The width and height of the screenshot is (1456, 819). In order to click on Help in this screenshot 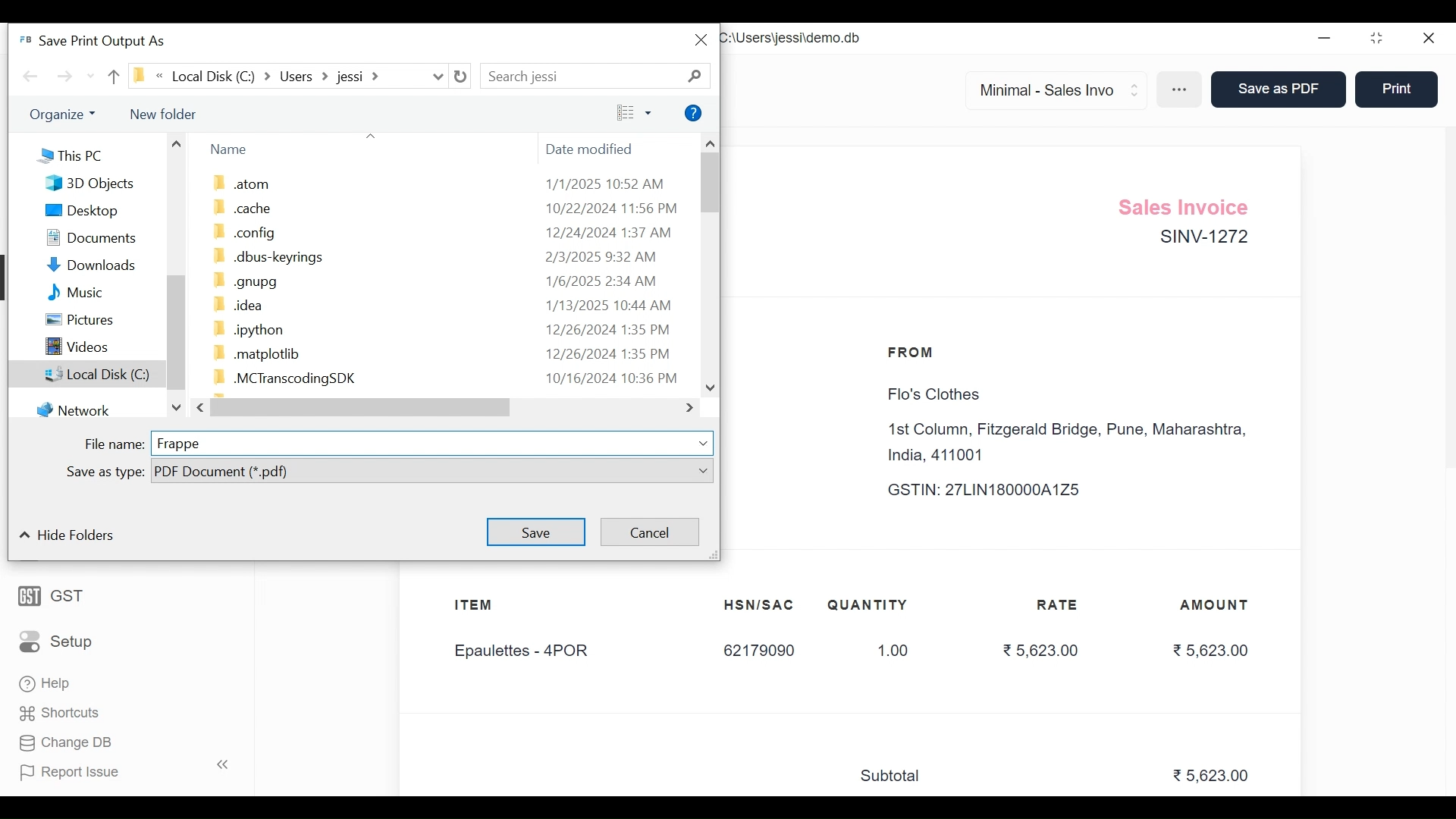, I will do `click(46, 686)`.